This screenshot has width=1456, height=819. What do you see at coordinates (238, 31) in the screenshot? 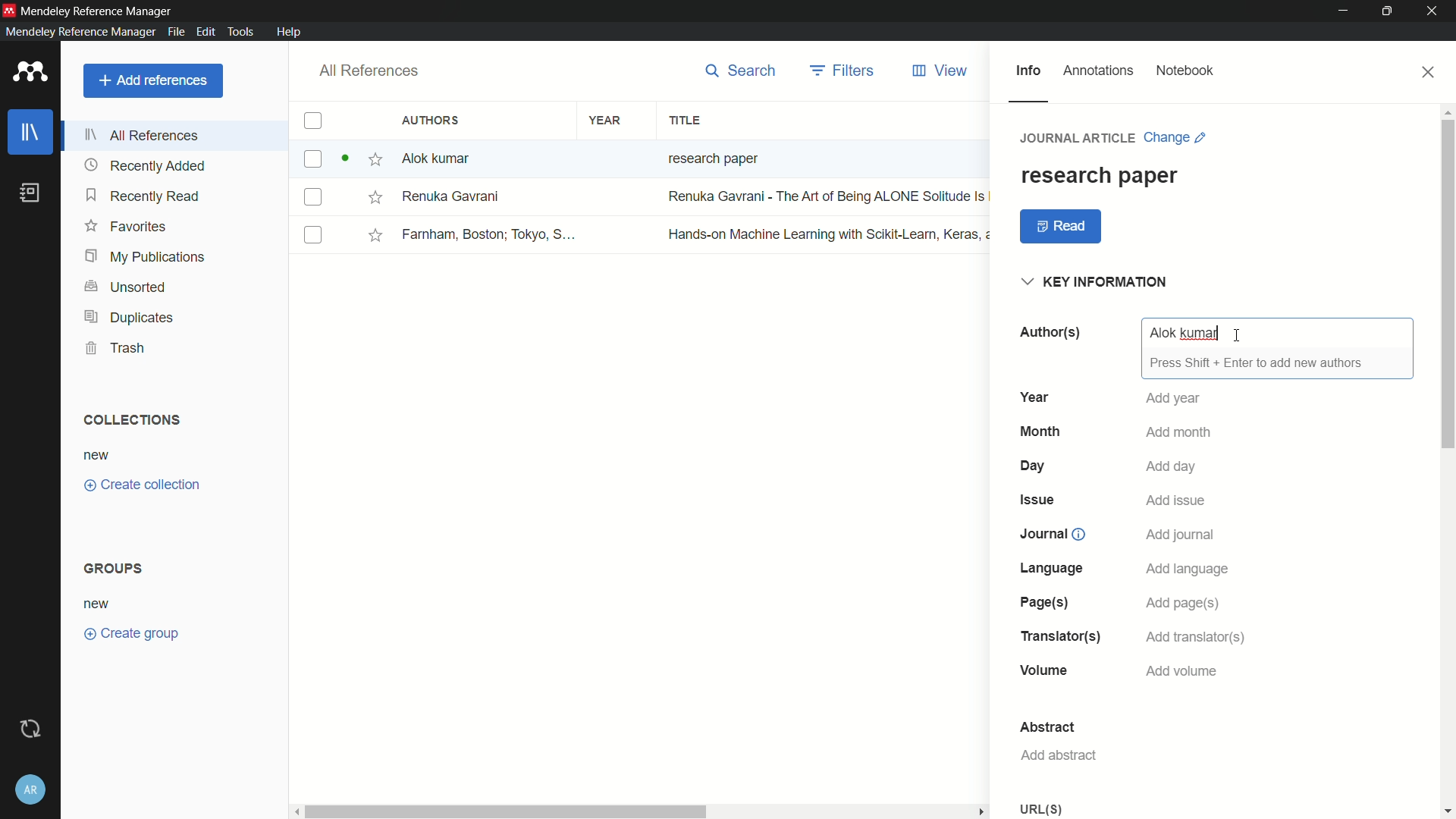
I see `tools menu` at bounding box center [238, 31].